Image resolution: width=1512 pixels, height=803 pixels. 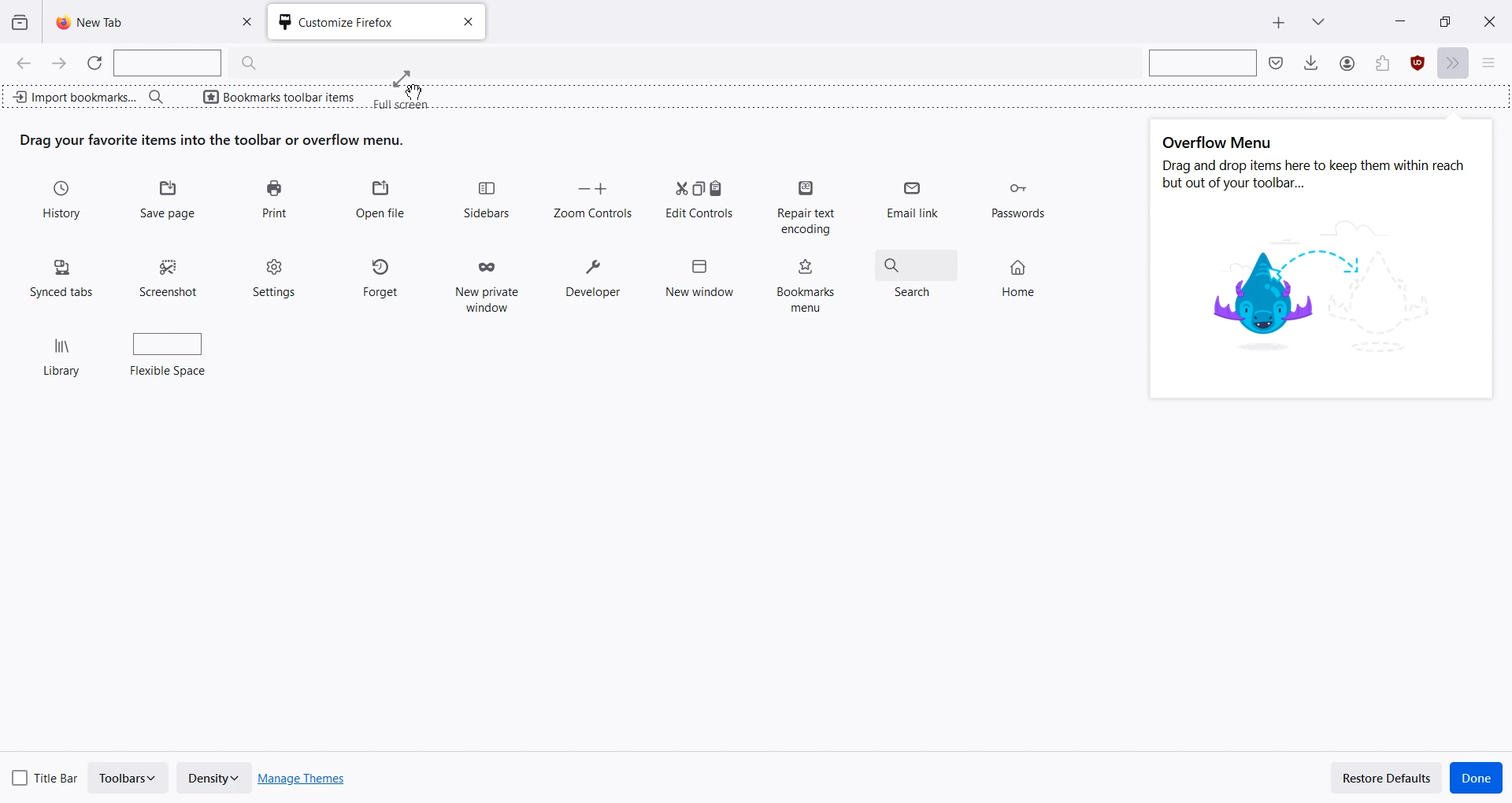 I want to click on Passwords, so click(x=1017, y=202).